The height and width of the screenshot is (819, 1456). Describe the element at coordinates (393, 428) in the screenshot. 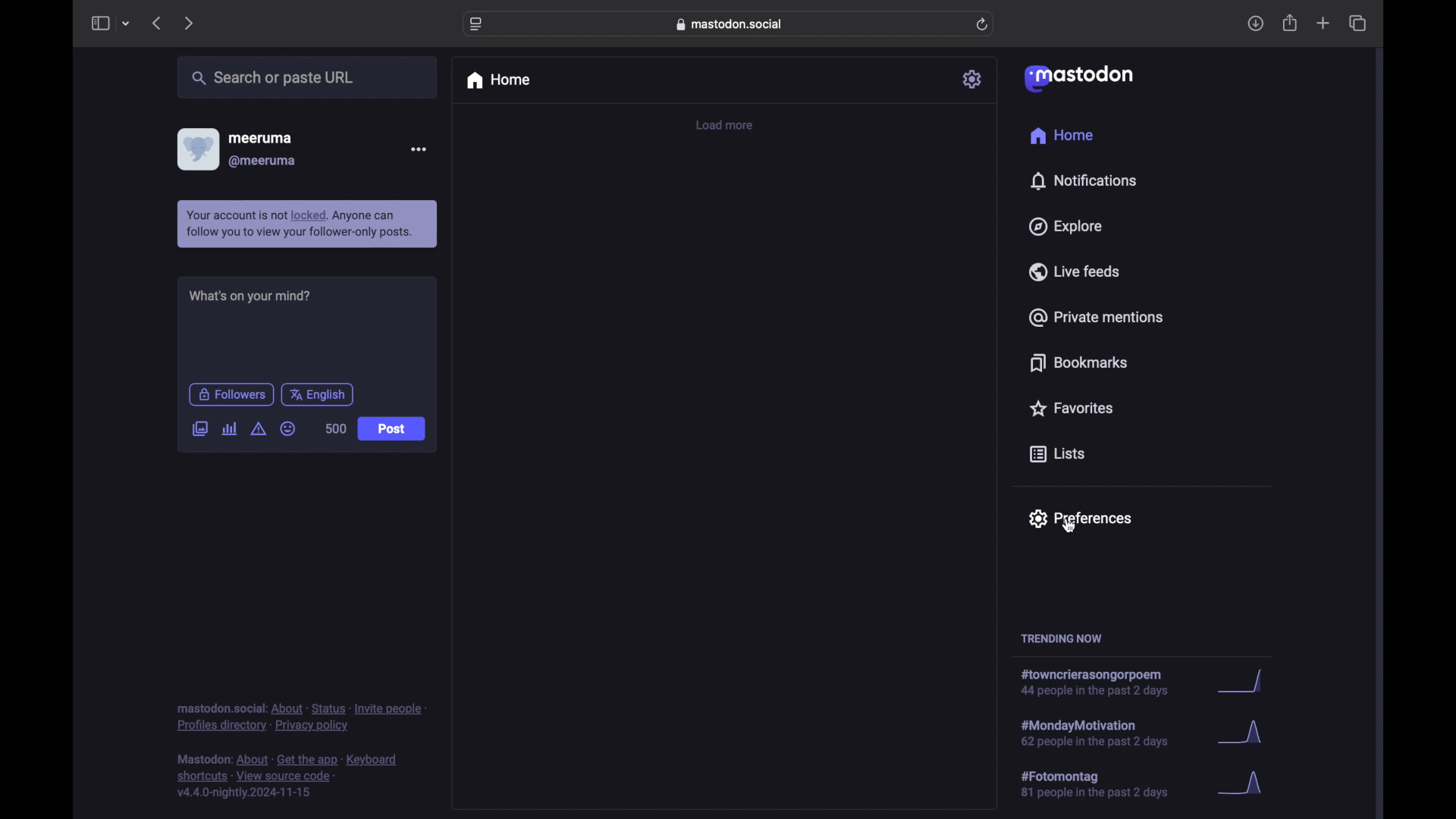

I see `post` at that location.